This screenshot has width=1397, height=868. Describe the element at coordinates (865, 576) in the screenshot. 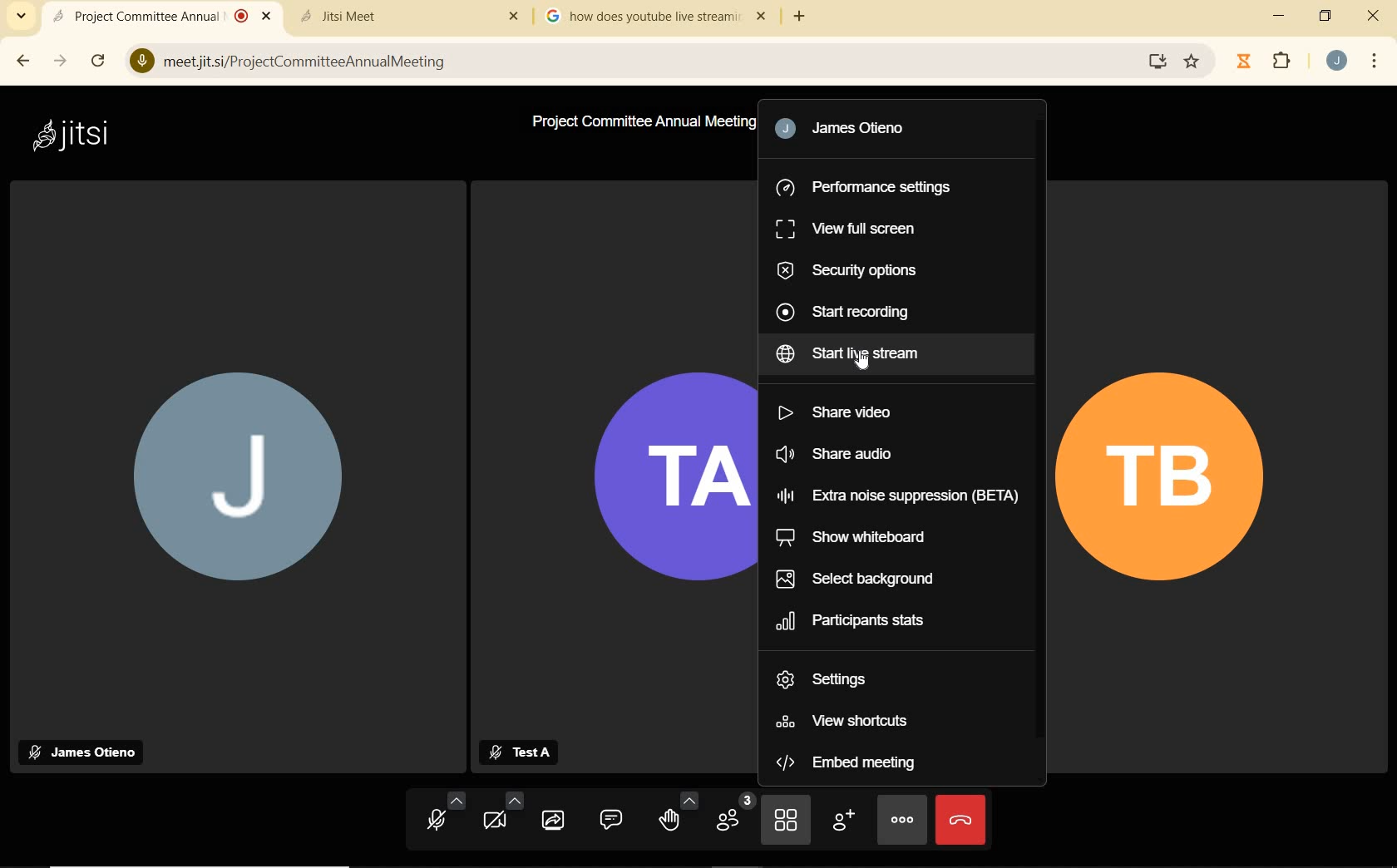

I see `SELECT BACKGROUND` at that location.